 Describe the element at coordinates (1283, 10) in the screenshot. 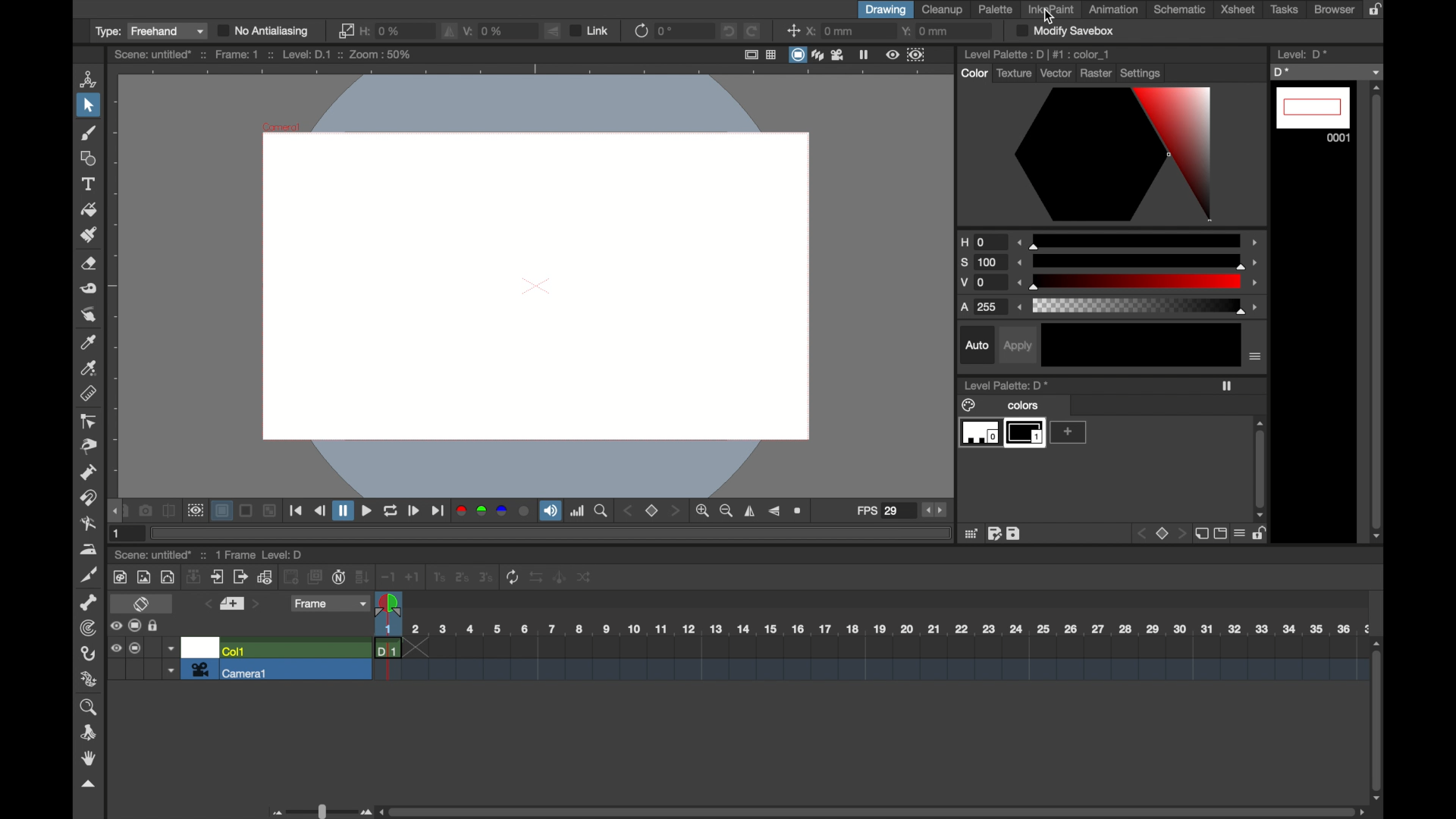

I see `tasks` at that location.